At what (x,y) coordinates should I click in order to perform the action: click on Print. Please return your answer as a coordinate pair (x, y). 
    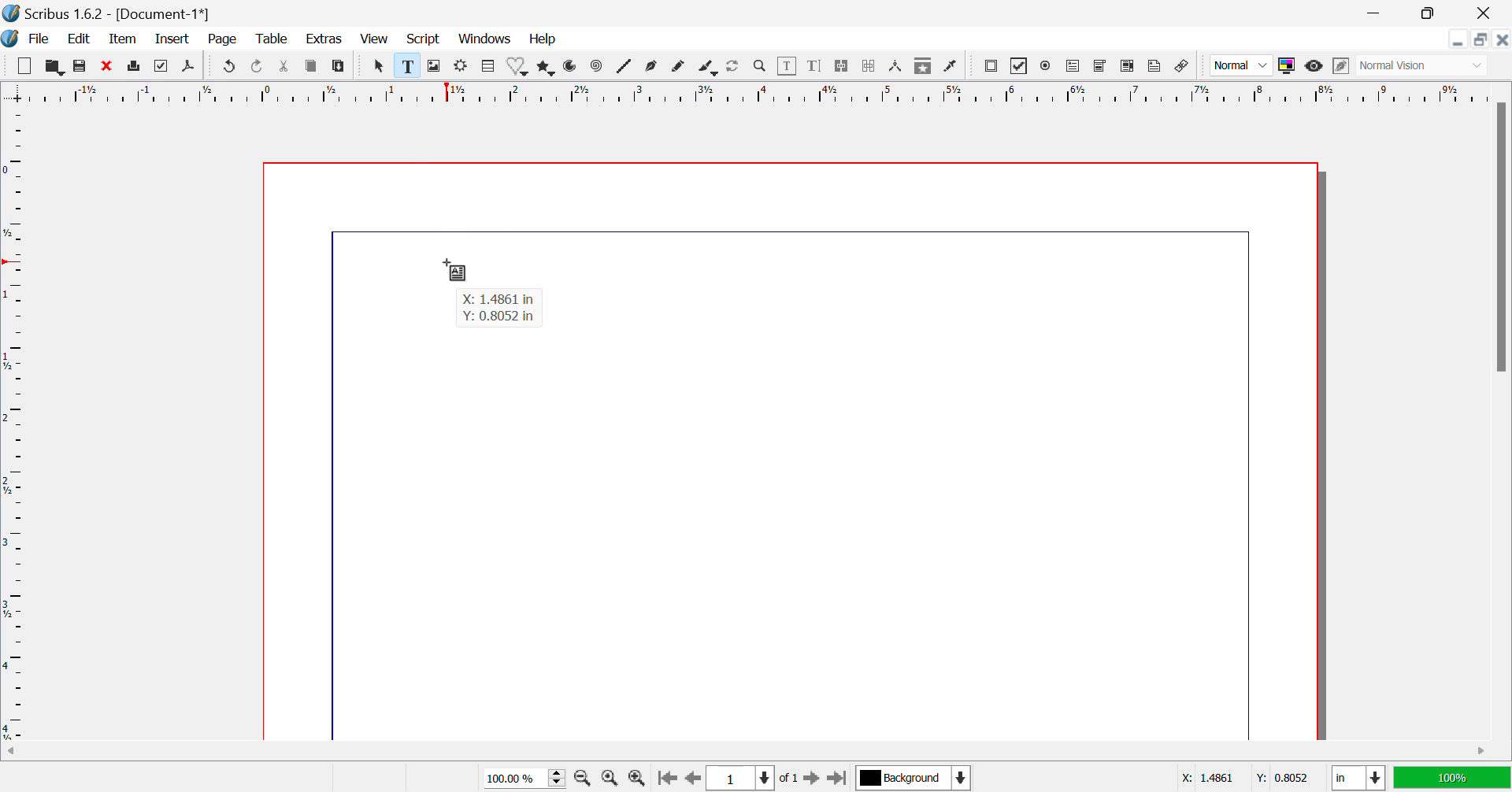
    Looking at the image, I should click on (134, 68).